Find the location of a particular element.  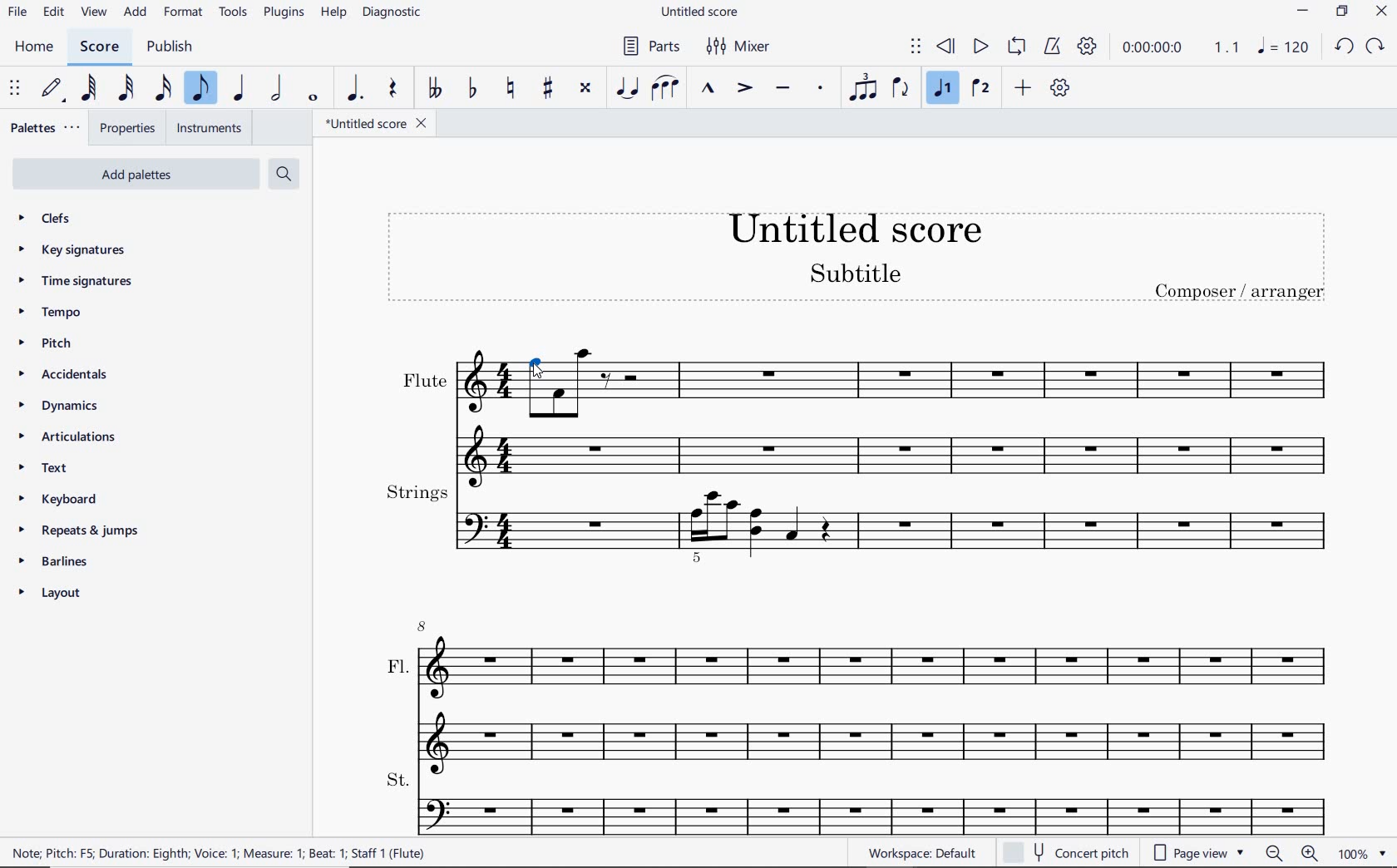

STACCATO is located at coordinates (822, 89).